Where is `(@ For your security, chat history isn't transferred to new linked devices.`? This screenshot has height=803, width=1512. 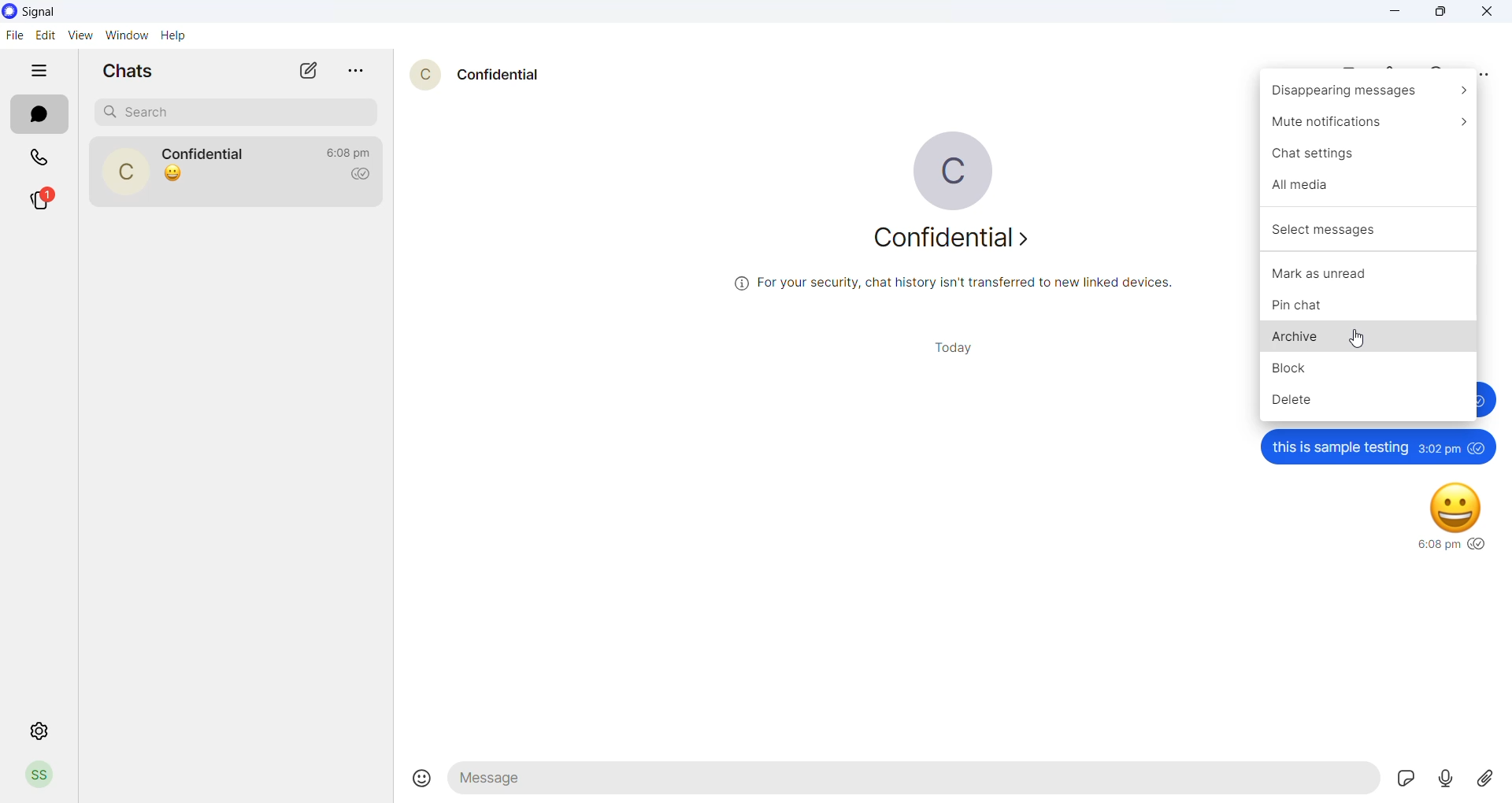
(@ For your security, chat history isn't transferred to new linked devices. is located at coordinates (952, 283).